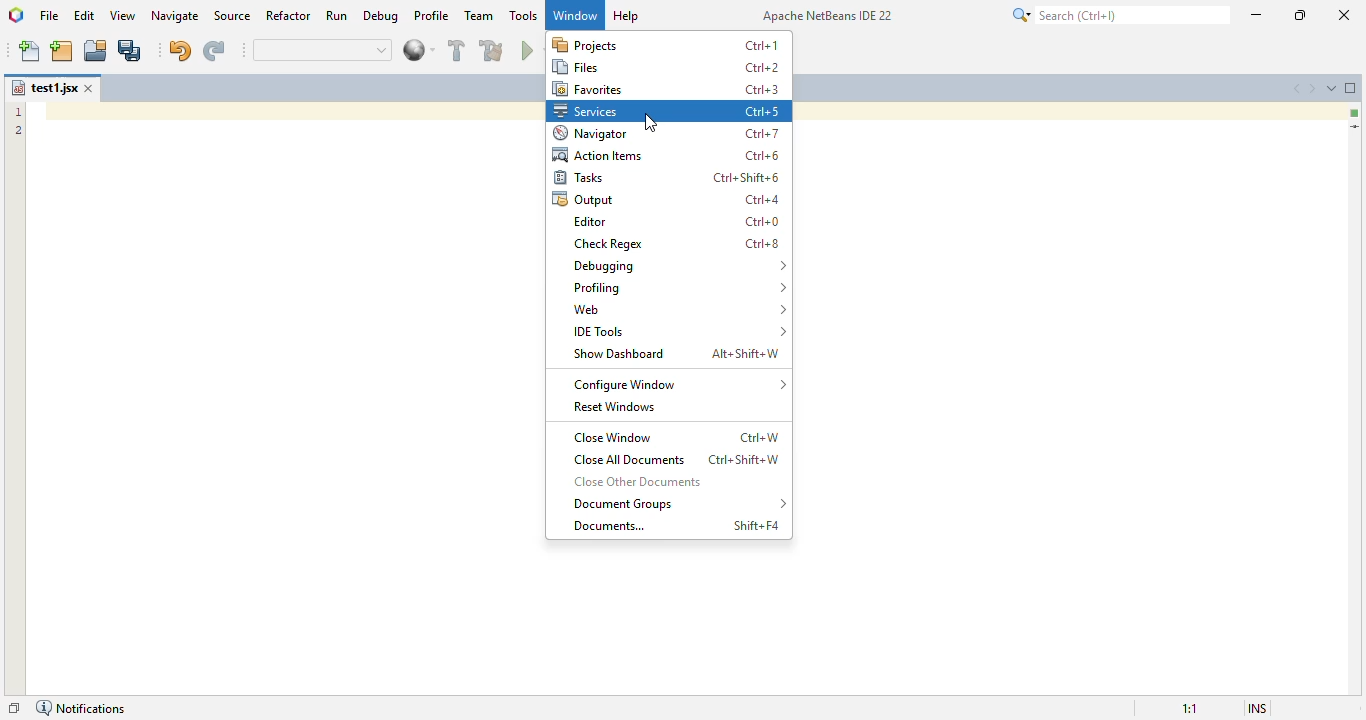  What do you see at coordinates (479, 15) in the screenshot?
I see `team` at bounding box center [479, 15].